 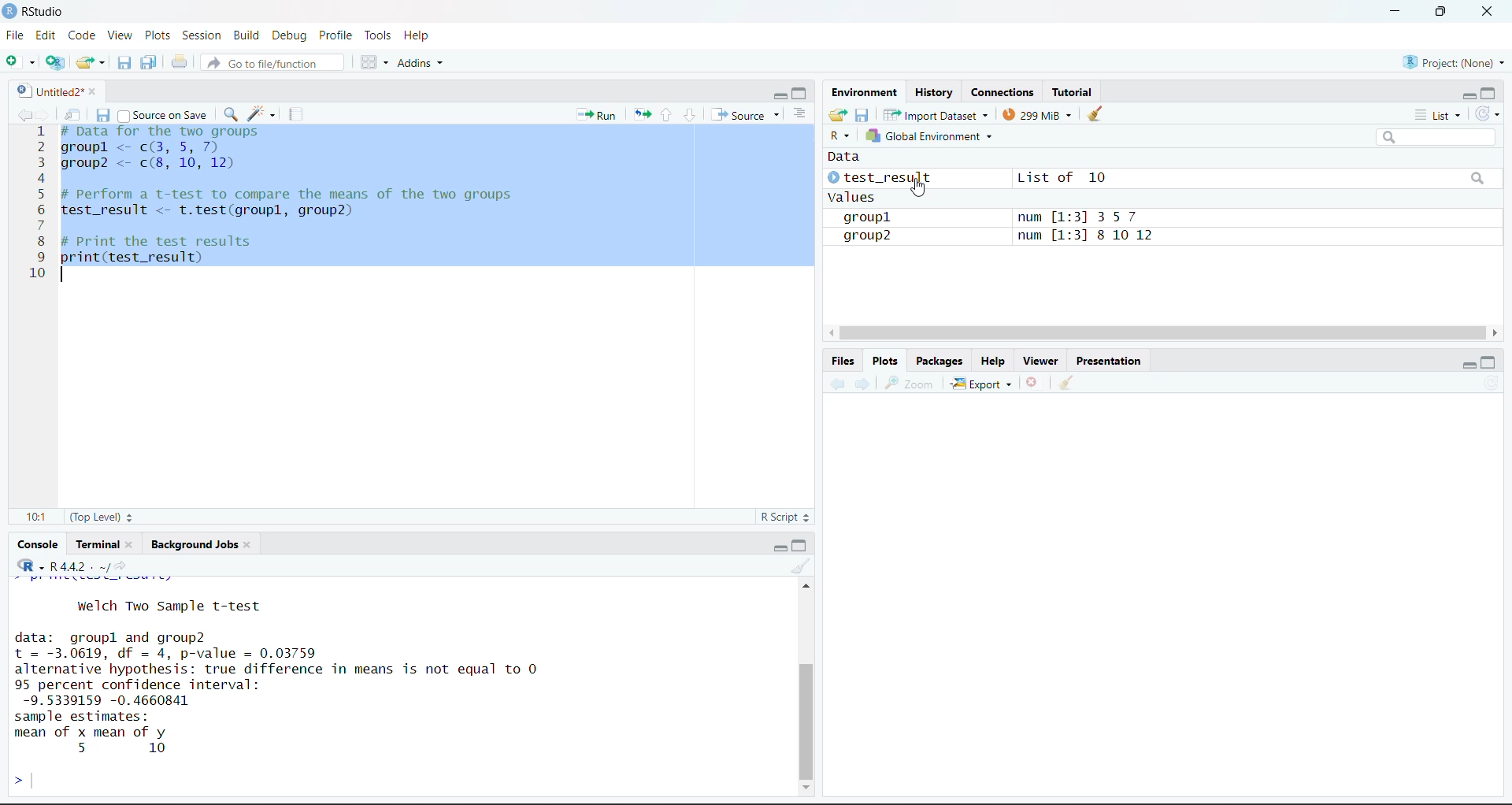 What do you see at coordinates (940, 360) in the screenshot?
I see `Packages` at bounding box center [940, 360].